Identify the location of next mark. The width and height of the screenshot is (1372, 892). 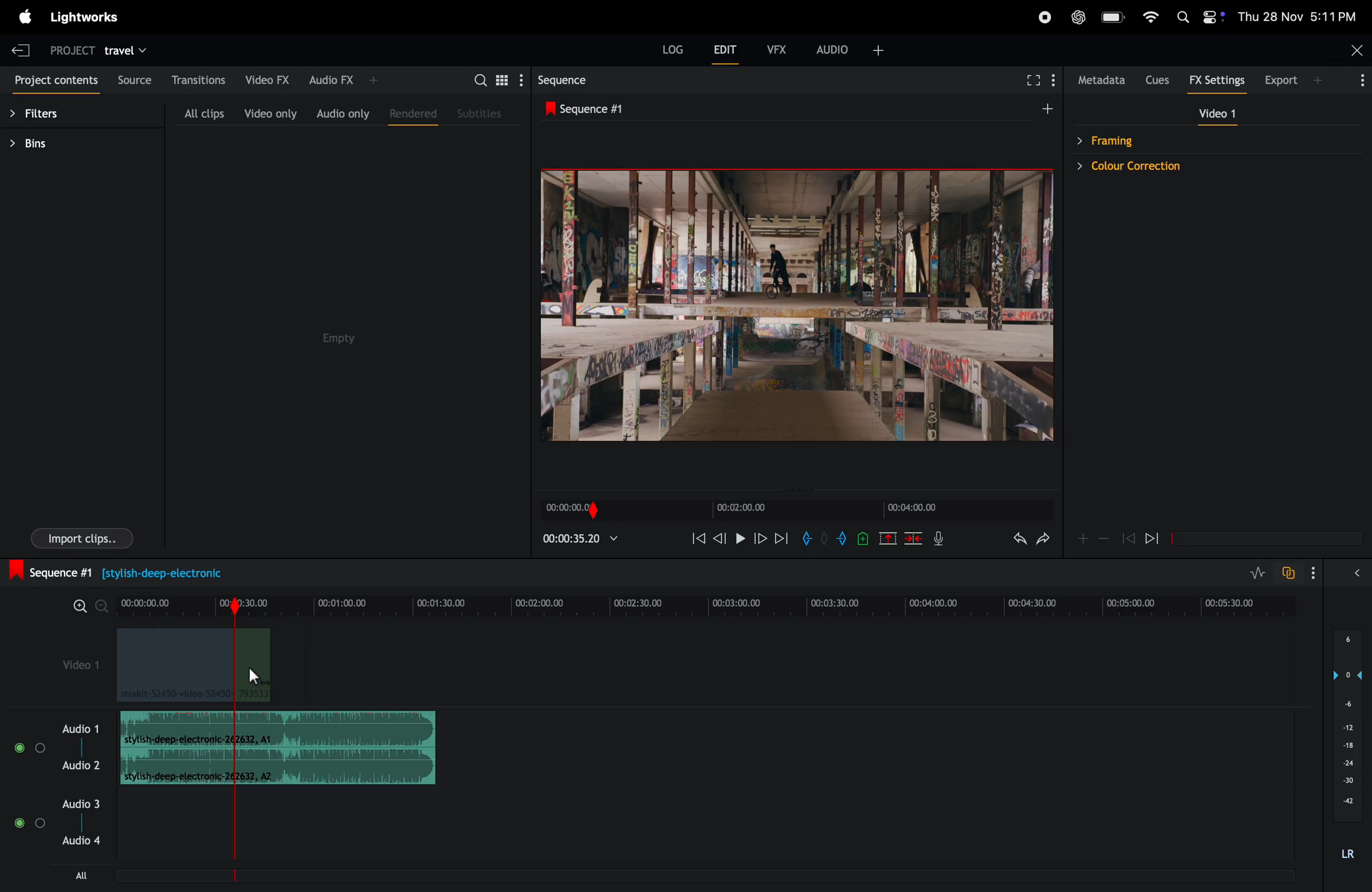
(782, 538).